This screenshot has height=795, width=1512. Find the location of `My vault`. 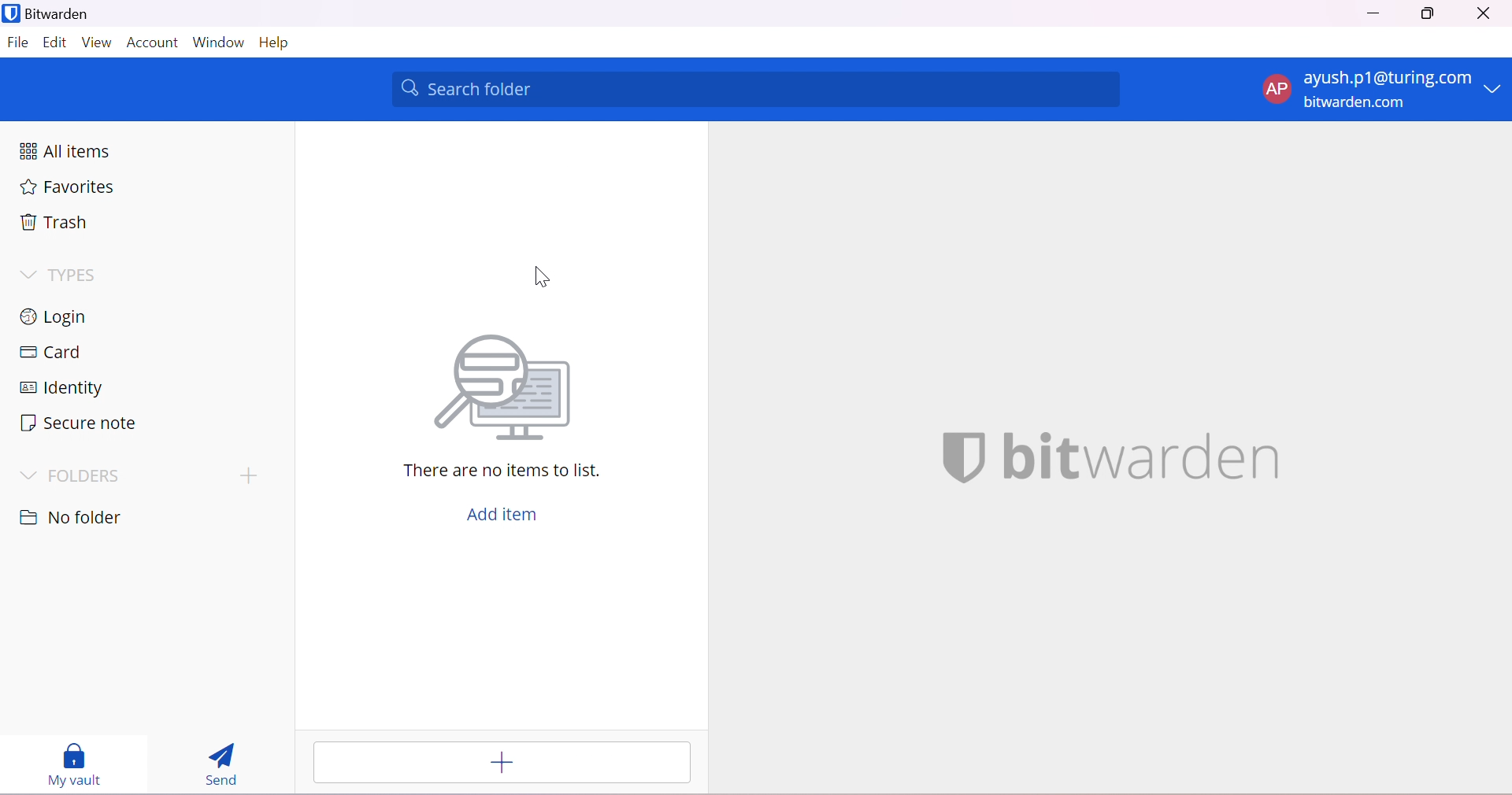

My vault is located at coordinates (78, 765).